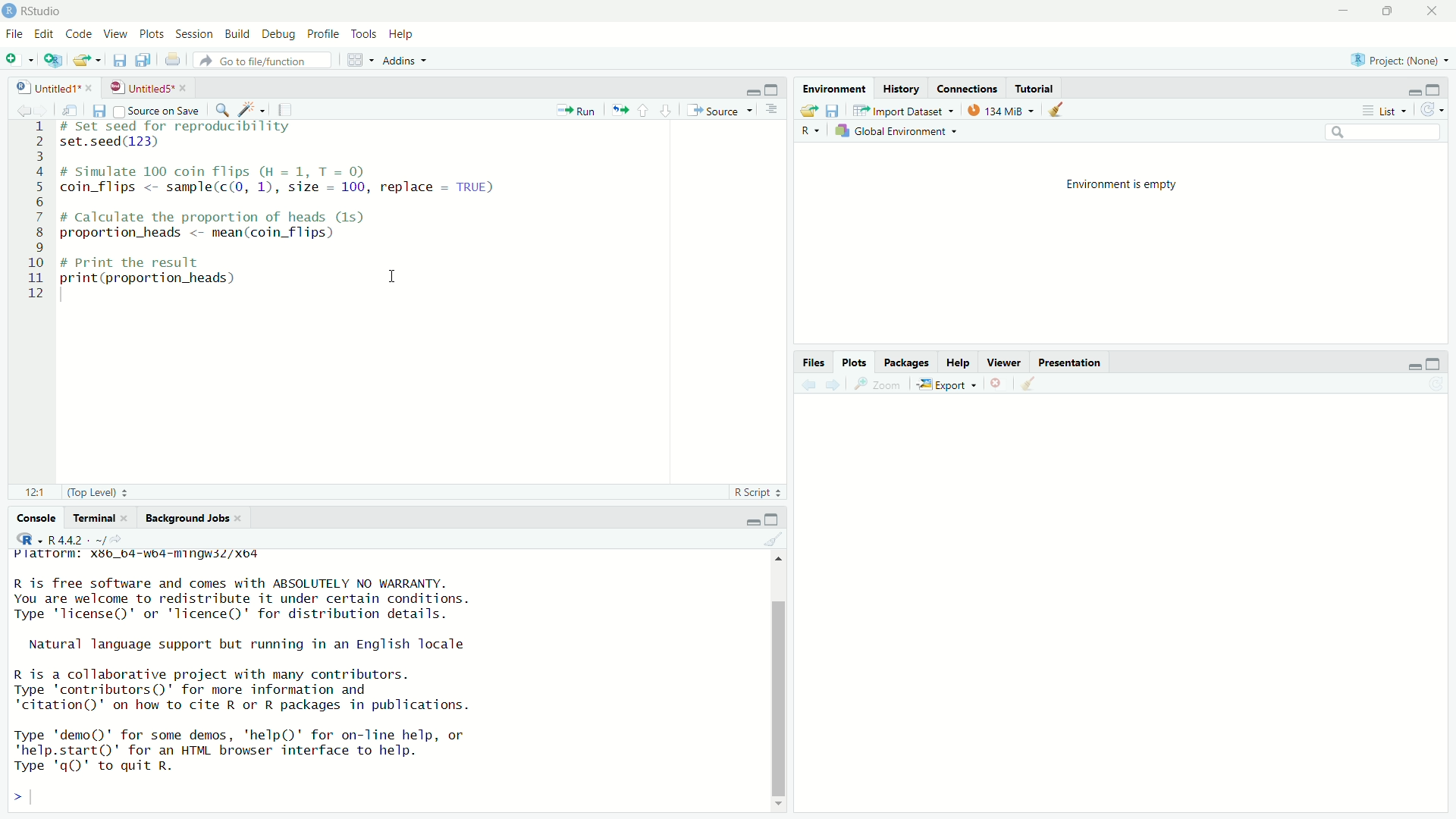  I want to click on minimize, so click(1410, 364).